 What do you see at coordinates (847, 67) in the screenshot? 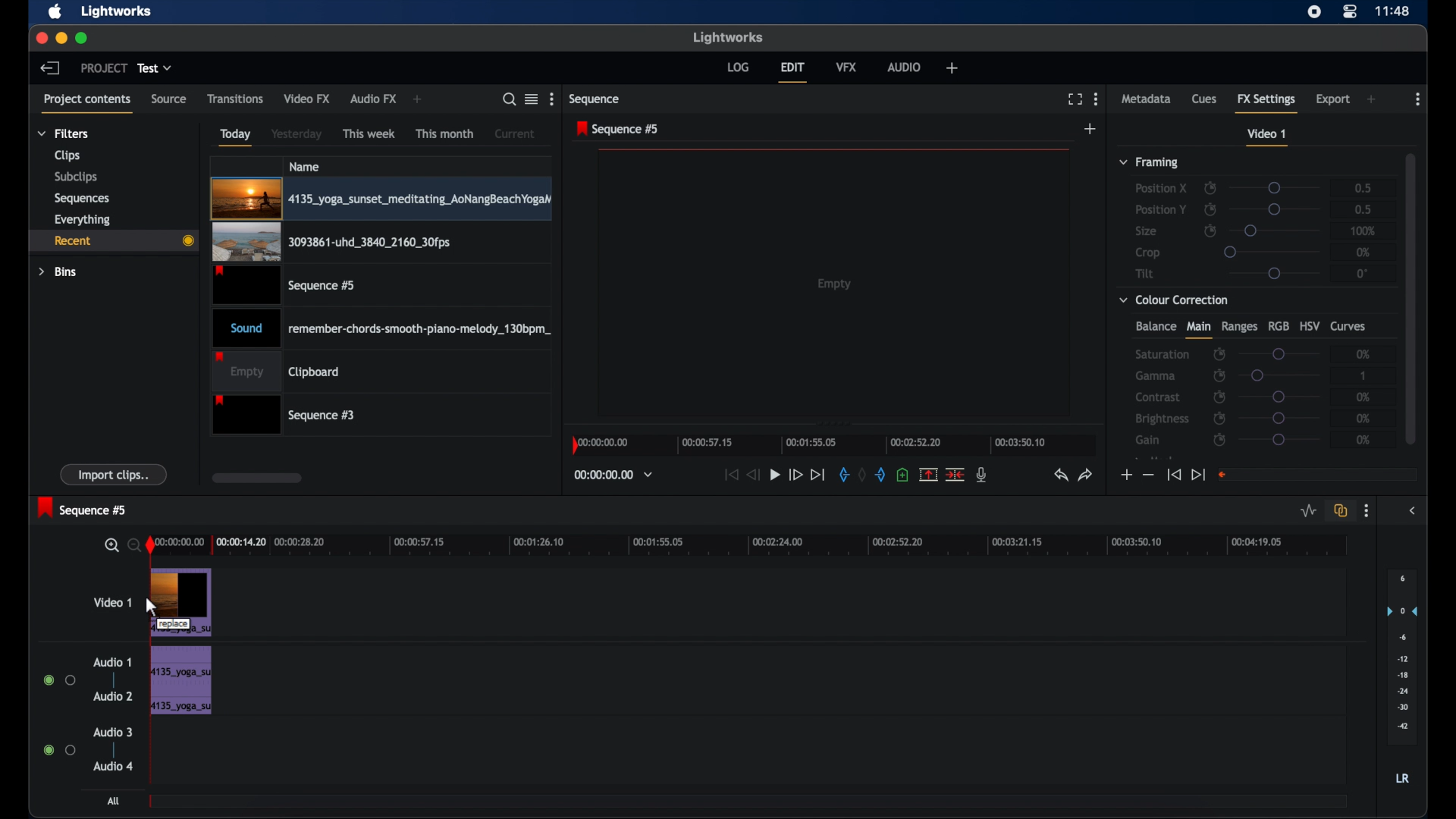
I see `vfx` at bounding box center [847, 67].